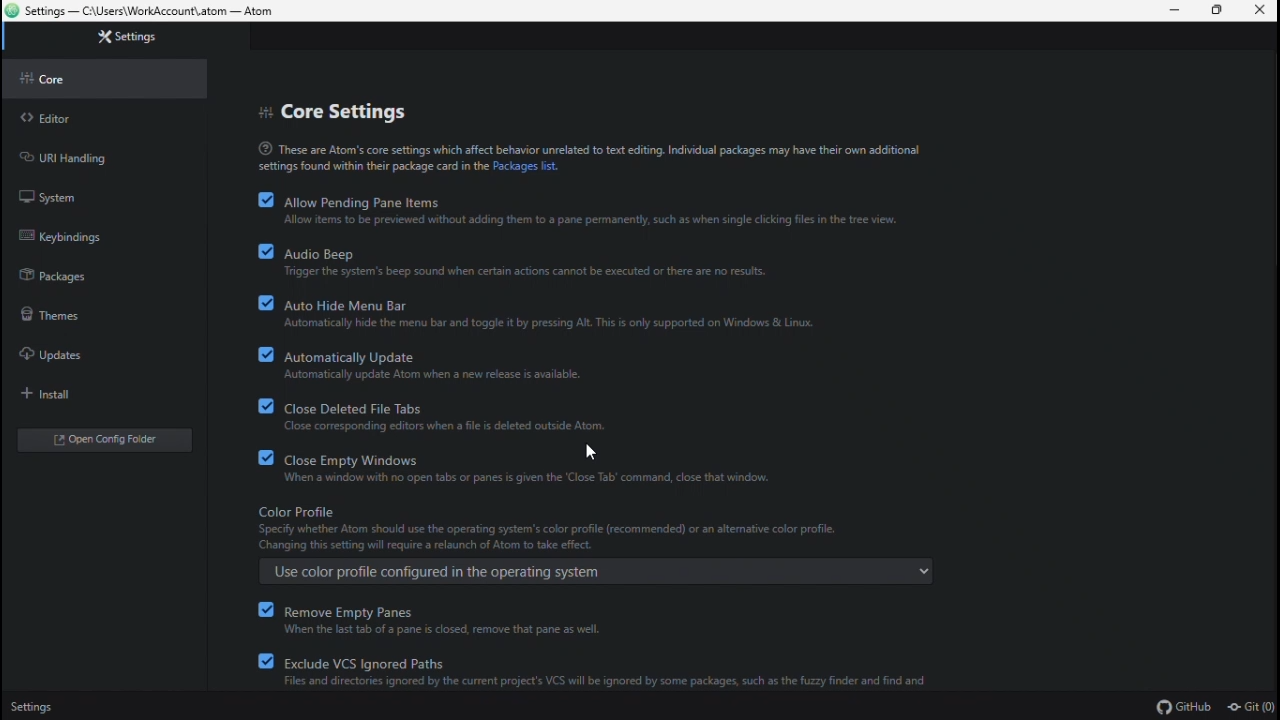 This screenshot has width=1280, height=720. What do you see at coordinates (264, 354) in the screenshot?
I see `checkbox` at bounding box center [264, 354].